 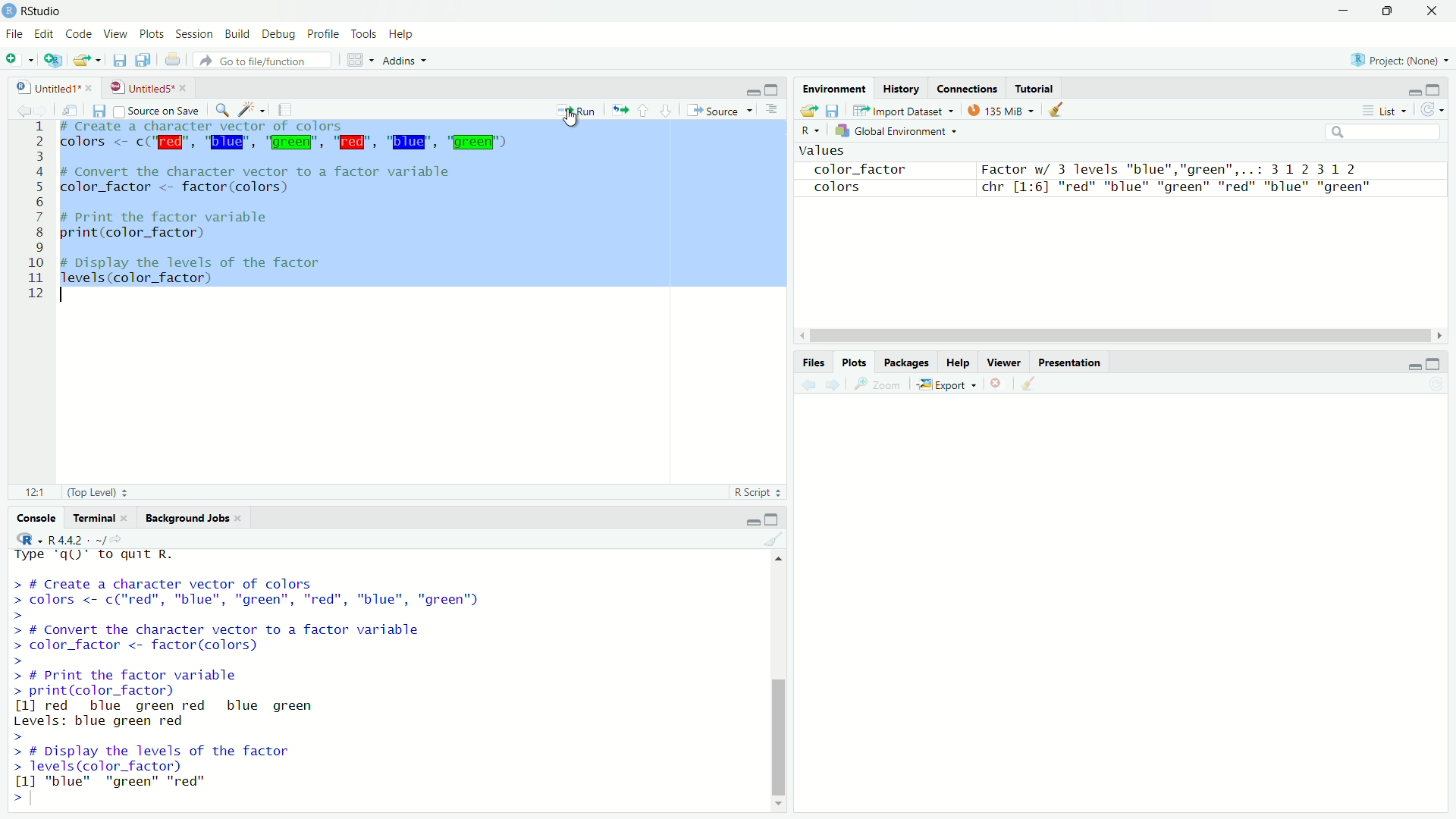 What do you see at coordinates (239, 33) in the screenshot?
I see `build` at bounding box center [239, 33].